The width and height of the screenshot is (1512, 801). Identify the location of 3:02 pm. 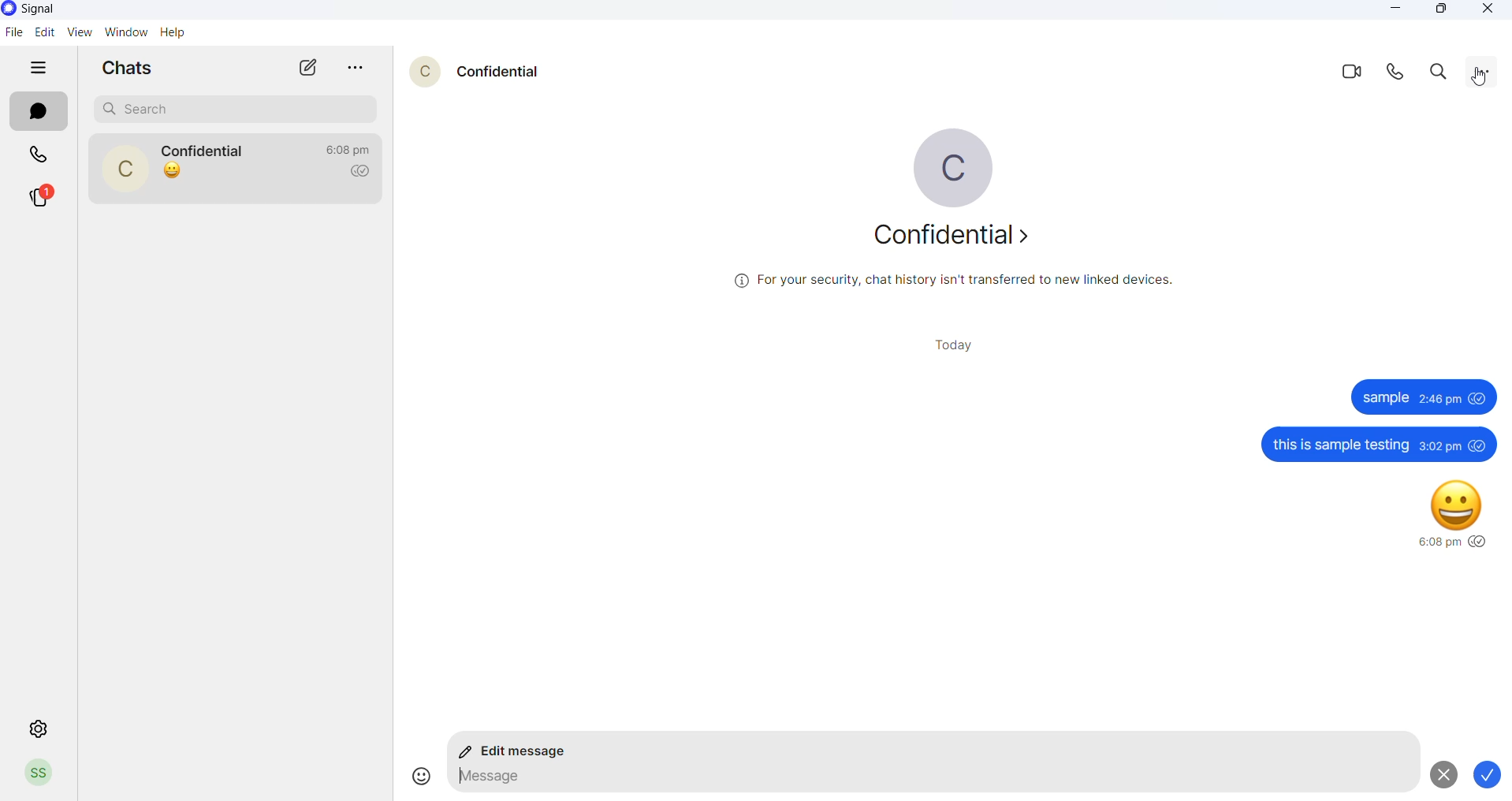
(1439, 445).